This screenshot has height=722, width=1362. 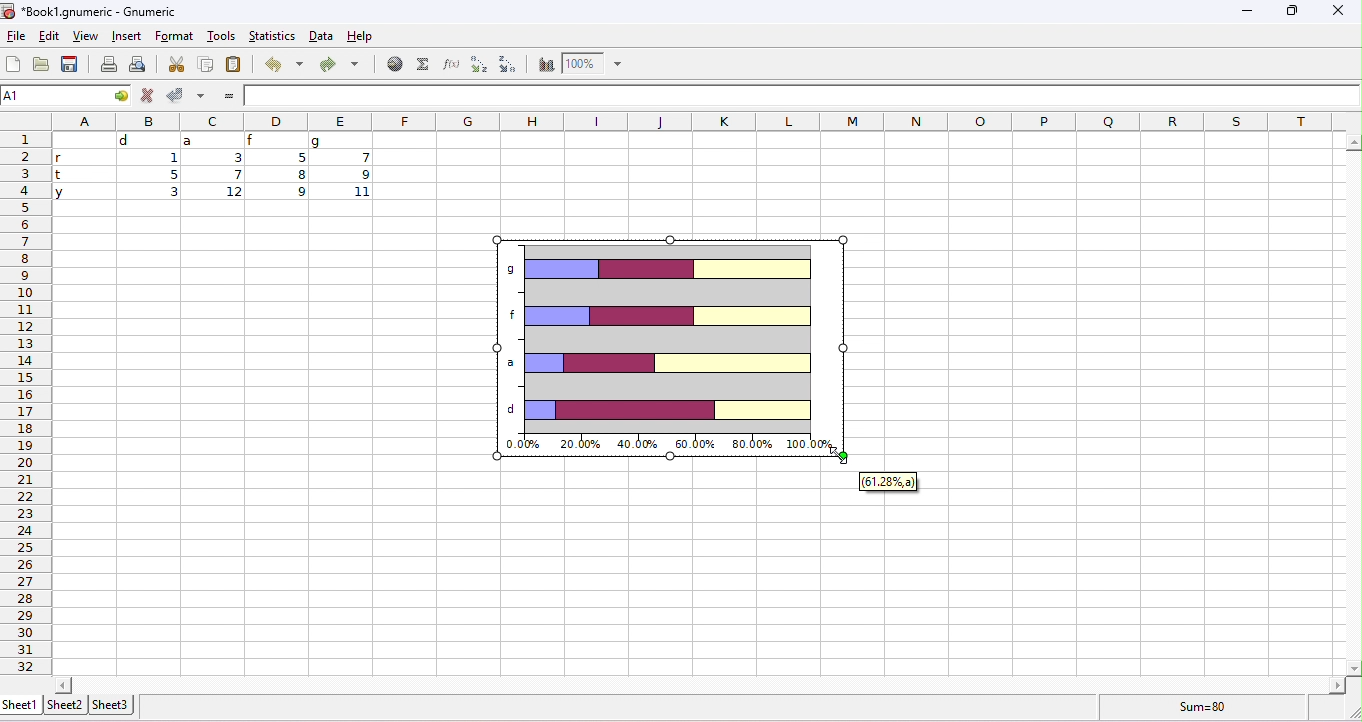 What do you see at coordinates (1293, 13) in the screenshot?
I see `maximize` at bounding box center [1293, 13].